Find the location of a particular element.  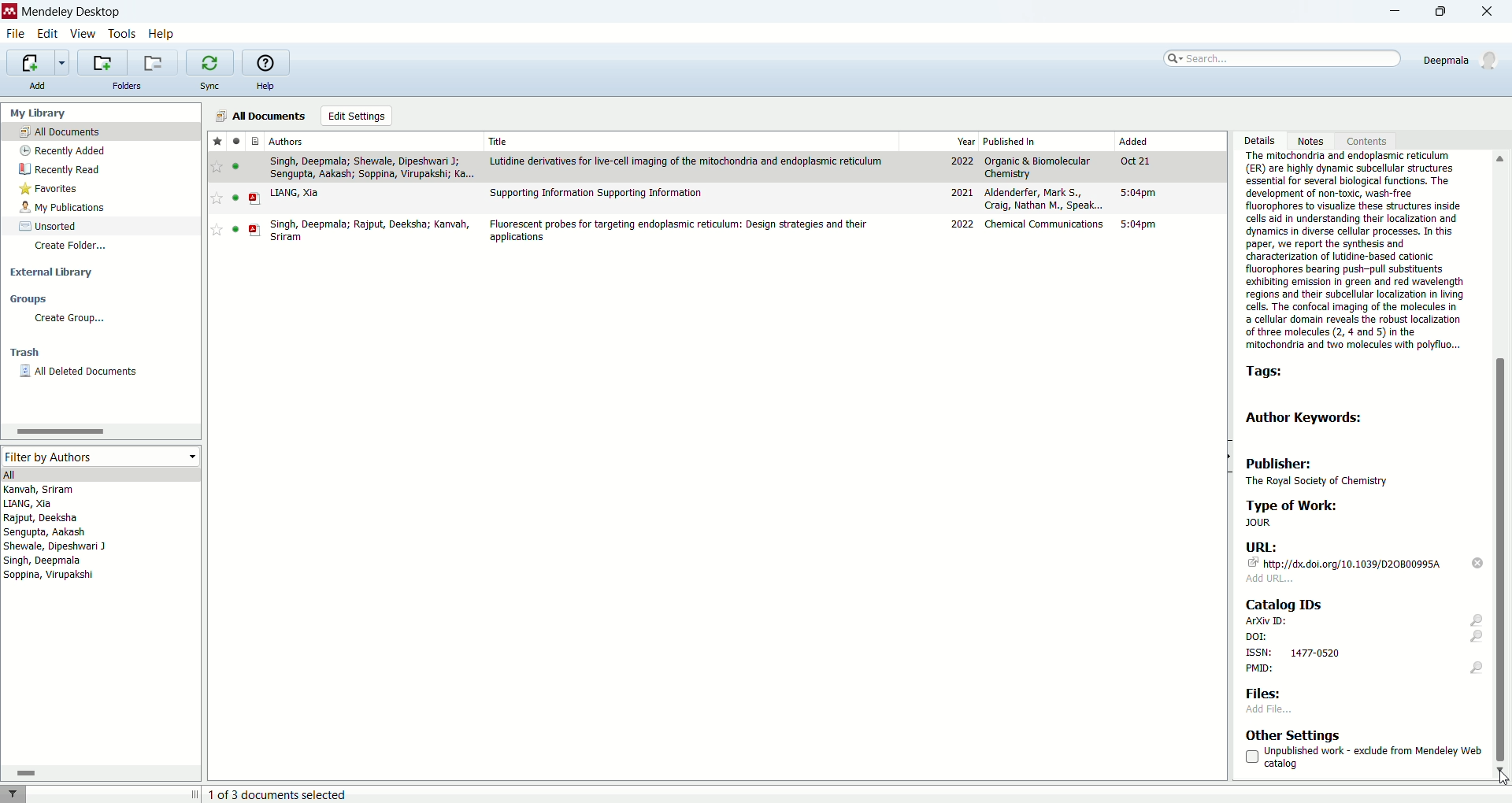

horizontal scroll bar is located at coordinates (99, 431).